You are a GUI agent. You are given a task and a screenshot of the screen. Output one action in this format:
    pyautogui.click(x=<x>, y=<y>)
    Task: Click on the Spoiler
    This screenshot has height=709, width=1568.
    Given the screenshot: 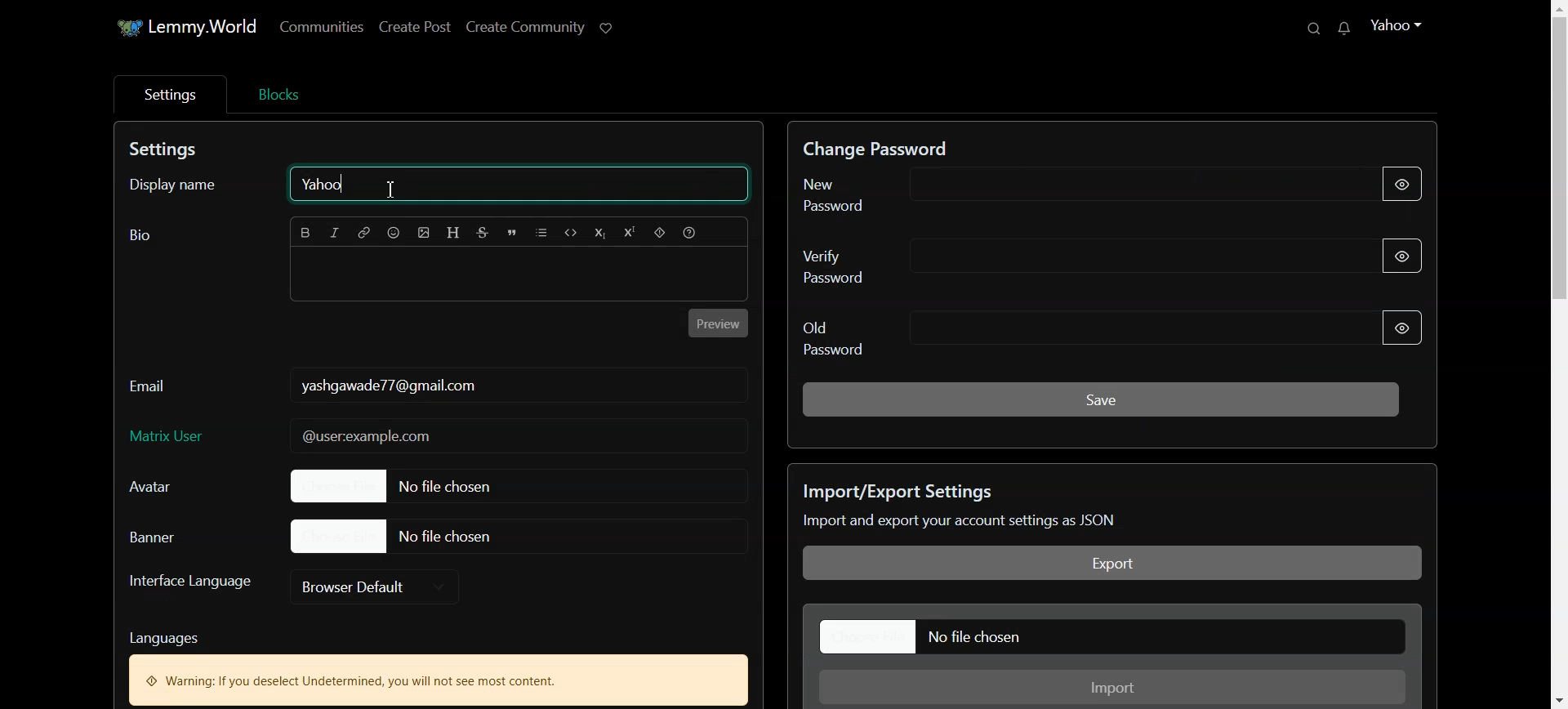 What is the action you would take?
    pyautogui.click(x=658, y=234)
    